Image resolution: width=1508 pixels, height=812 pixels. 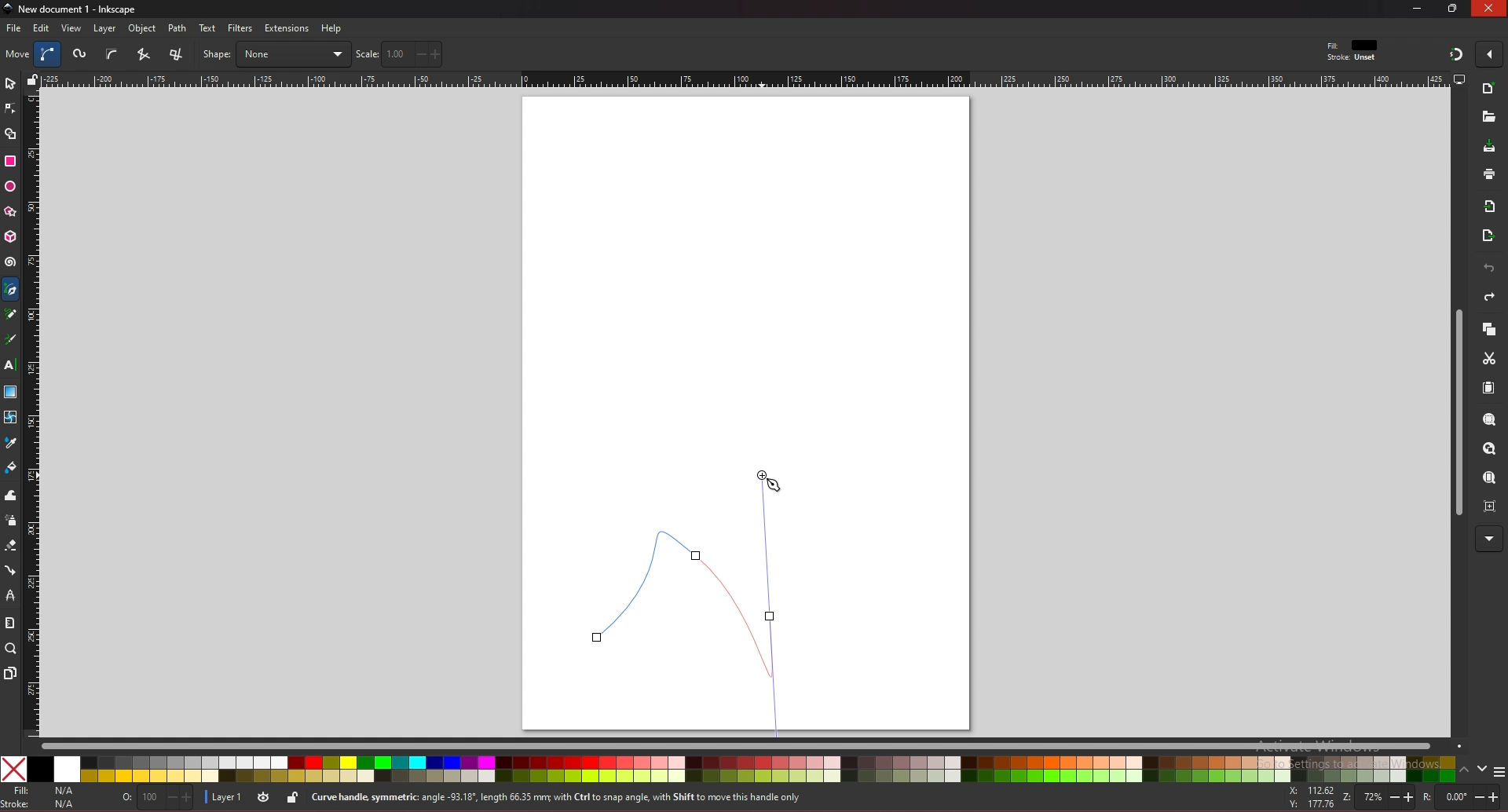 I want to click on close, so click(x=1491, y=9).